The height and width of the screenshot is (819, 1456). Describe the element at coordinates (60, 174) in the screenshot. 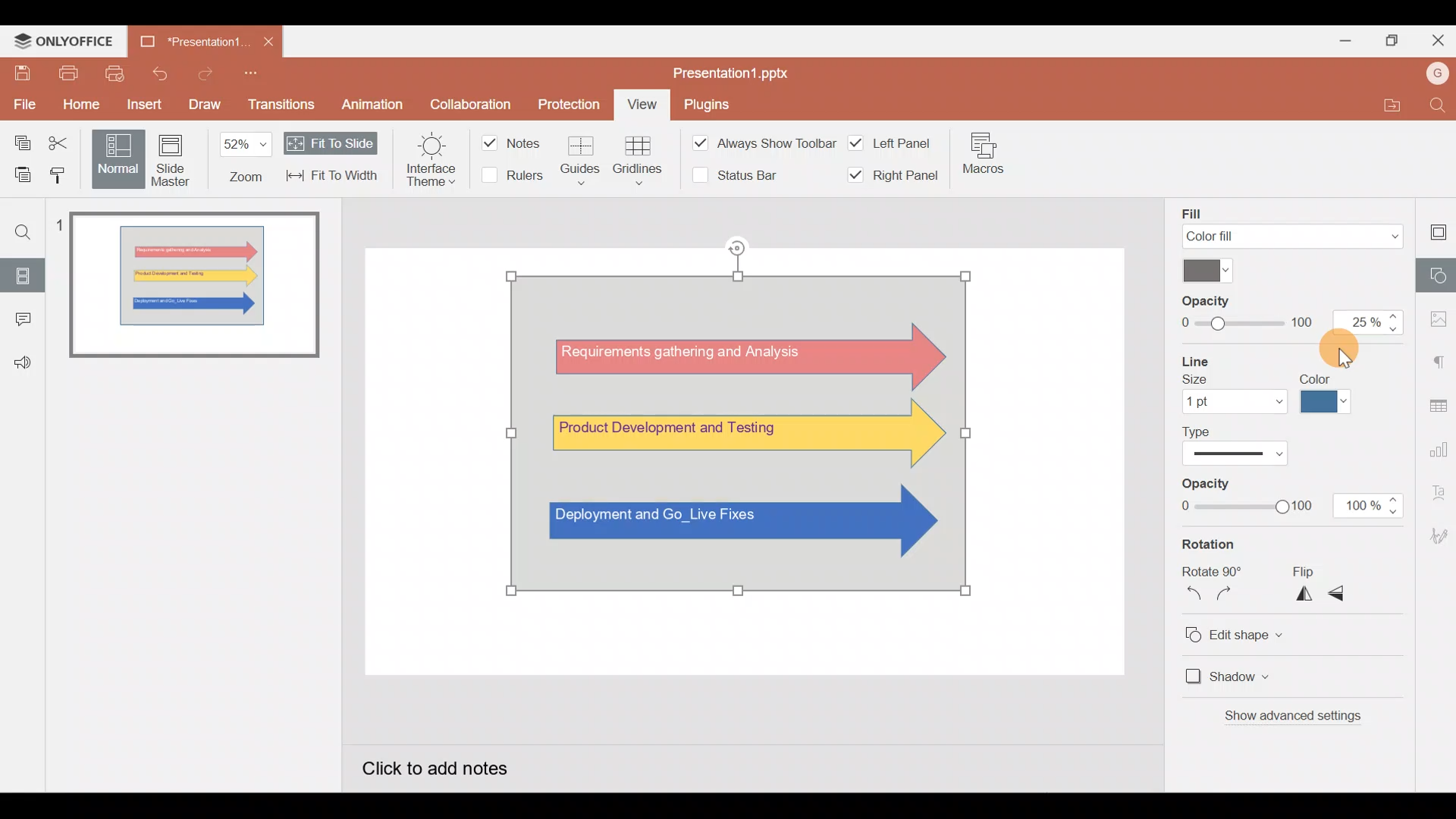

I see `Copy style` at that location.